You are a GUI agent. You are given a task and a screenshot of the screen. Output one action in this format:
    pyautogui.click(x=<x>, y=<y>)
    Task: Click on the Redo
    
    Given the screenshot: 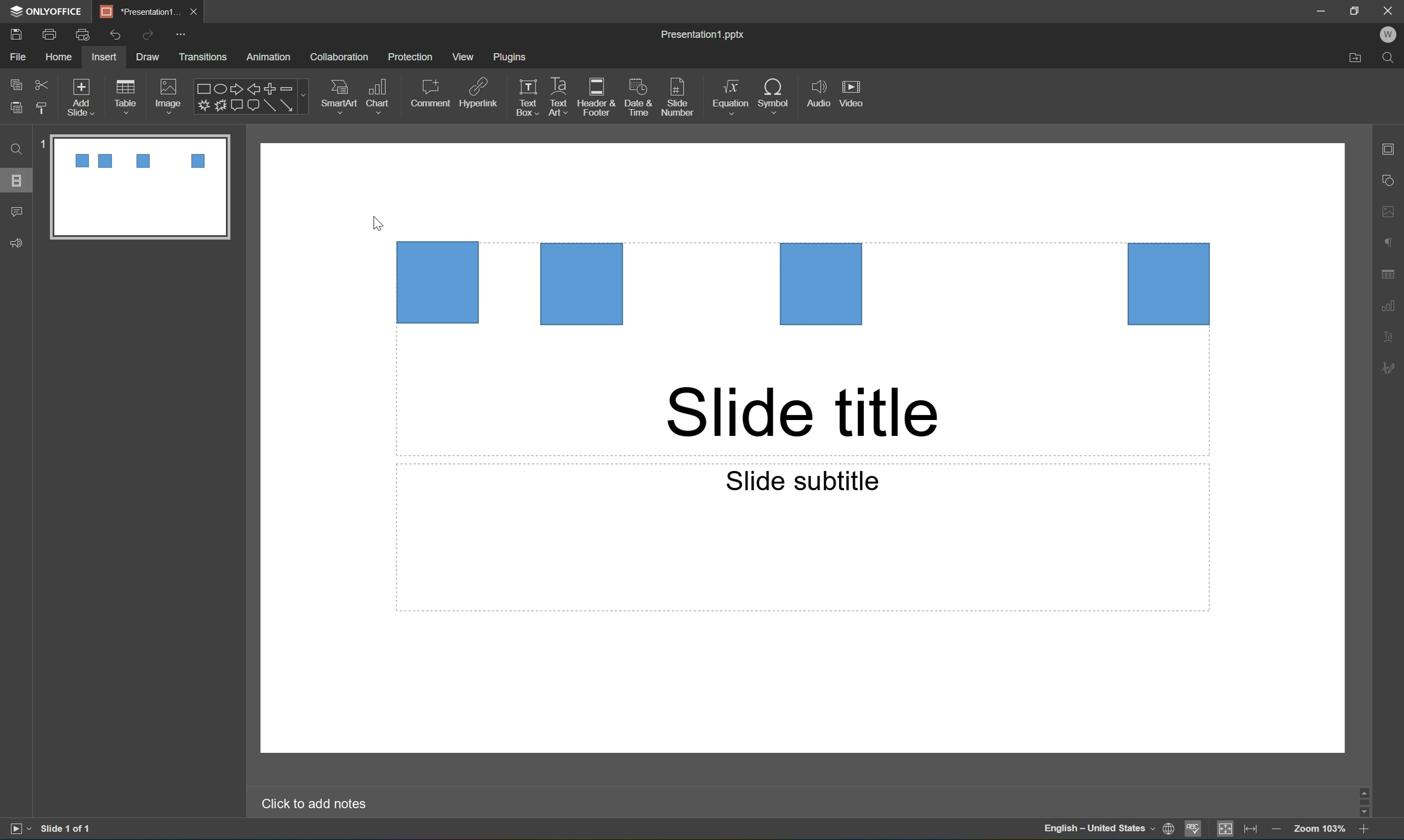 What is the action you would take?
    pyautogui.click(x=148, y=36)
    